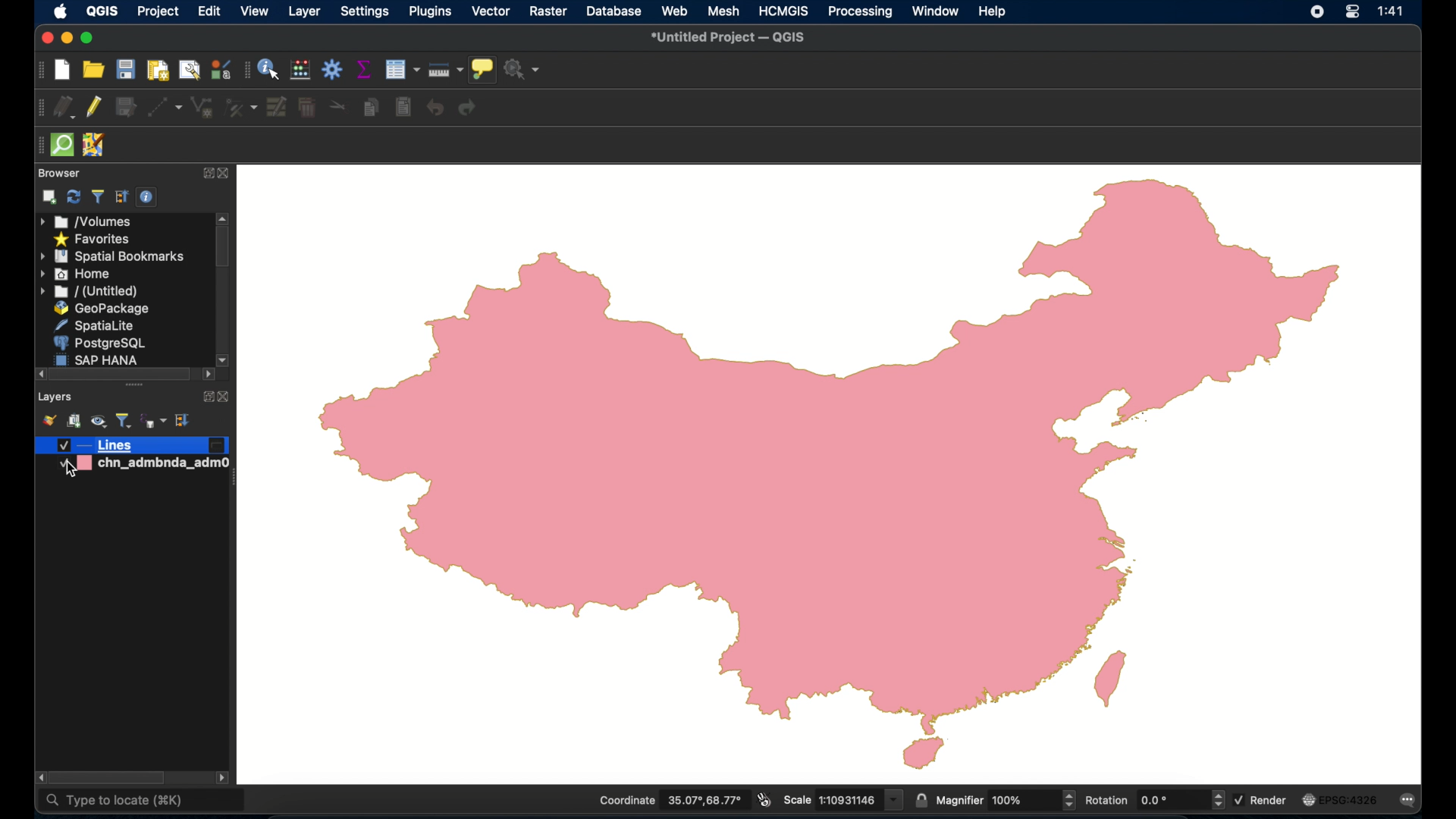 The height and width of the screenshot is (819, 1456). I want to click on close, so click(224, 174).